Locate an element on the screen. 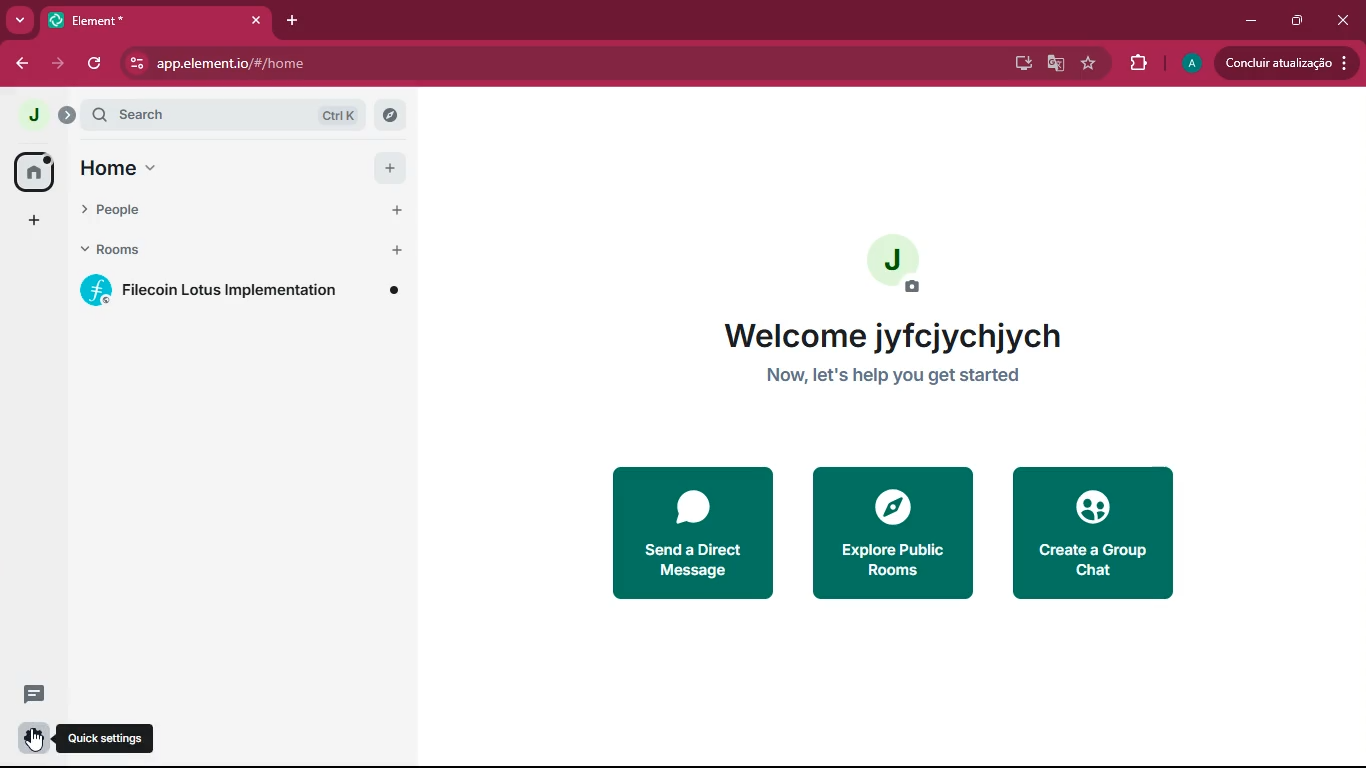  welcome jyfcjychjych is located at coordinates (884, 336).